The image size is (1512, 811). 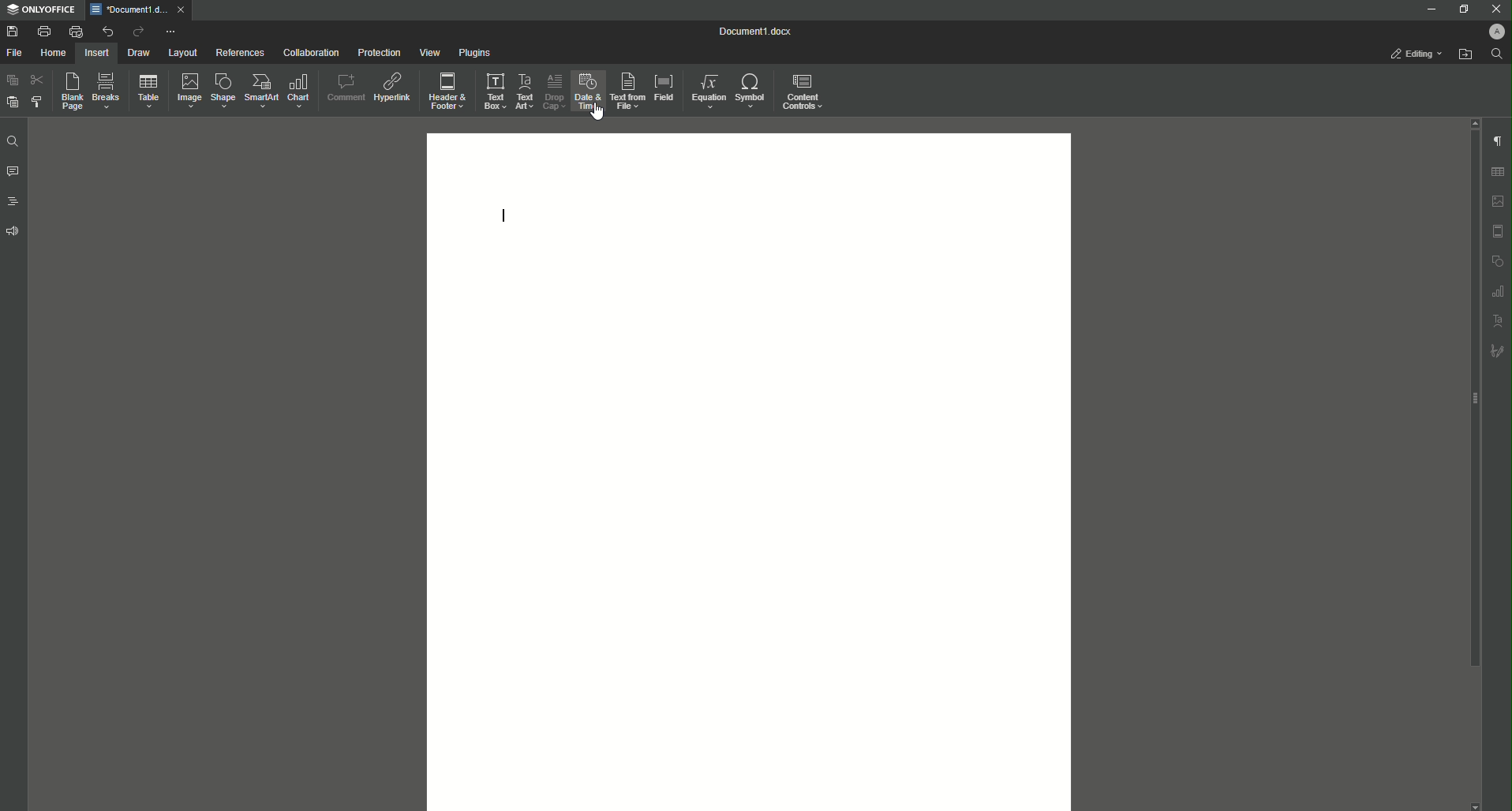 I want to click on text art settings, so click(x=1499, y=319).